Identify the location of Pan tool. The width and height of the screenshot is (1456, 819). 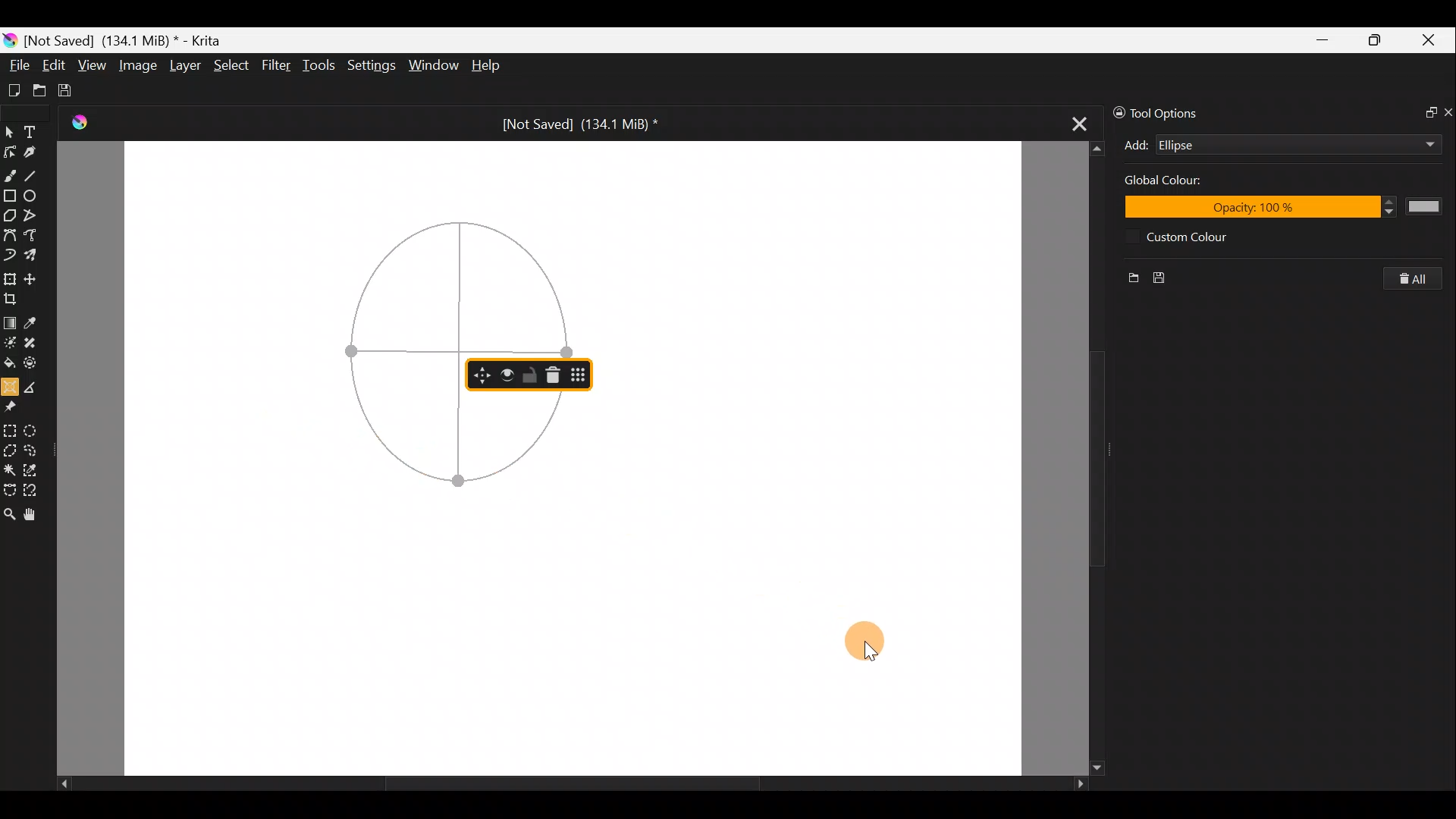
(30, 514).